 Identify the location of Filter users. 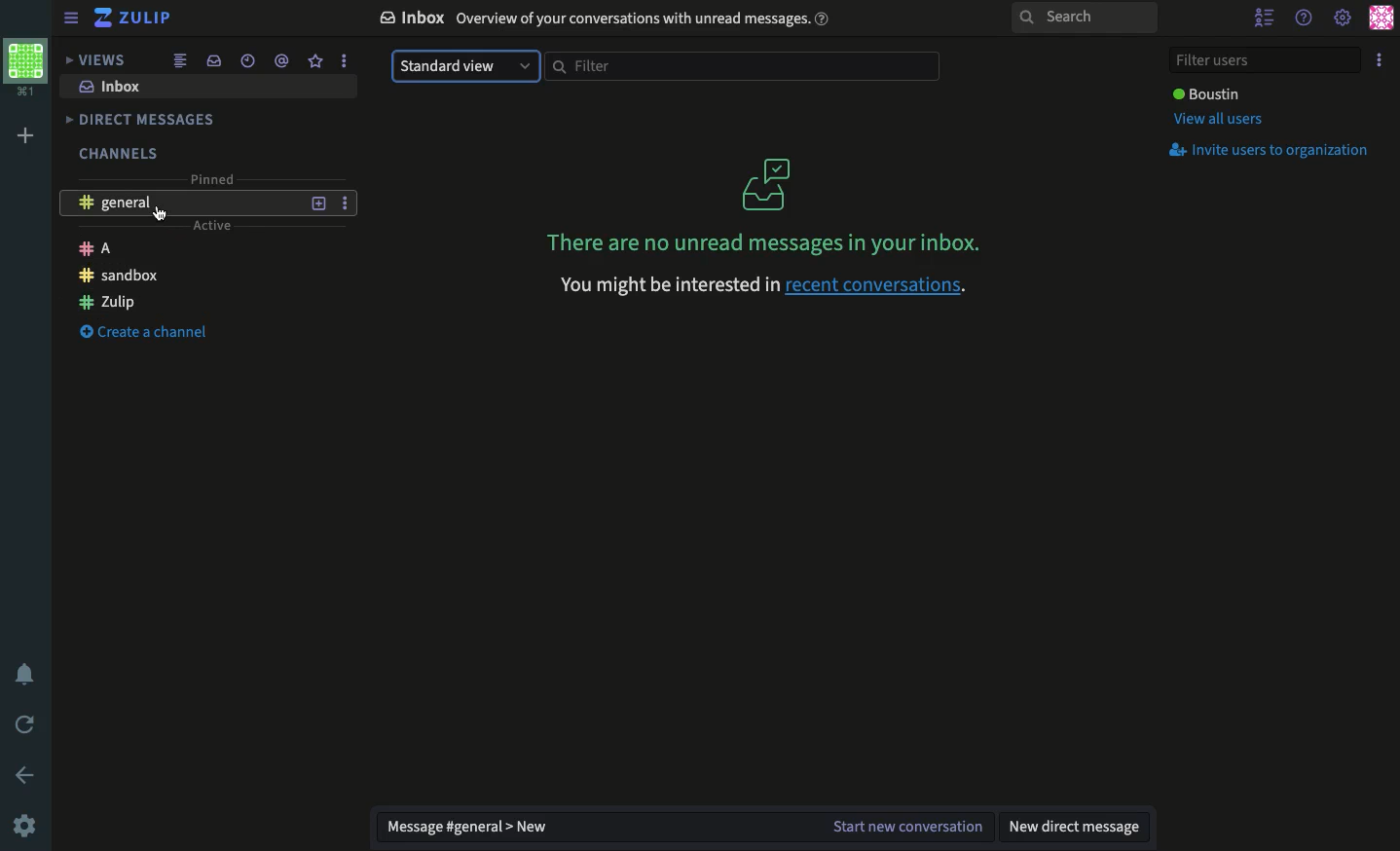
(1266, 58).